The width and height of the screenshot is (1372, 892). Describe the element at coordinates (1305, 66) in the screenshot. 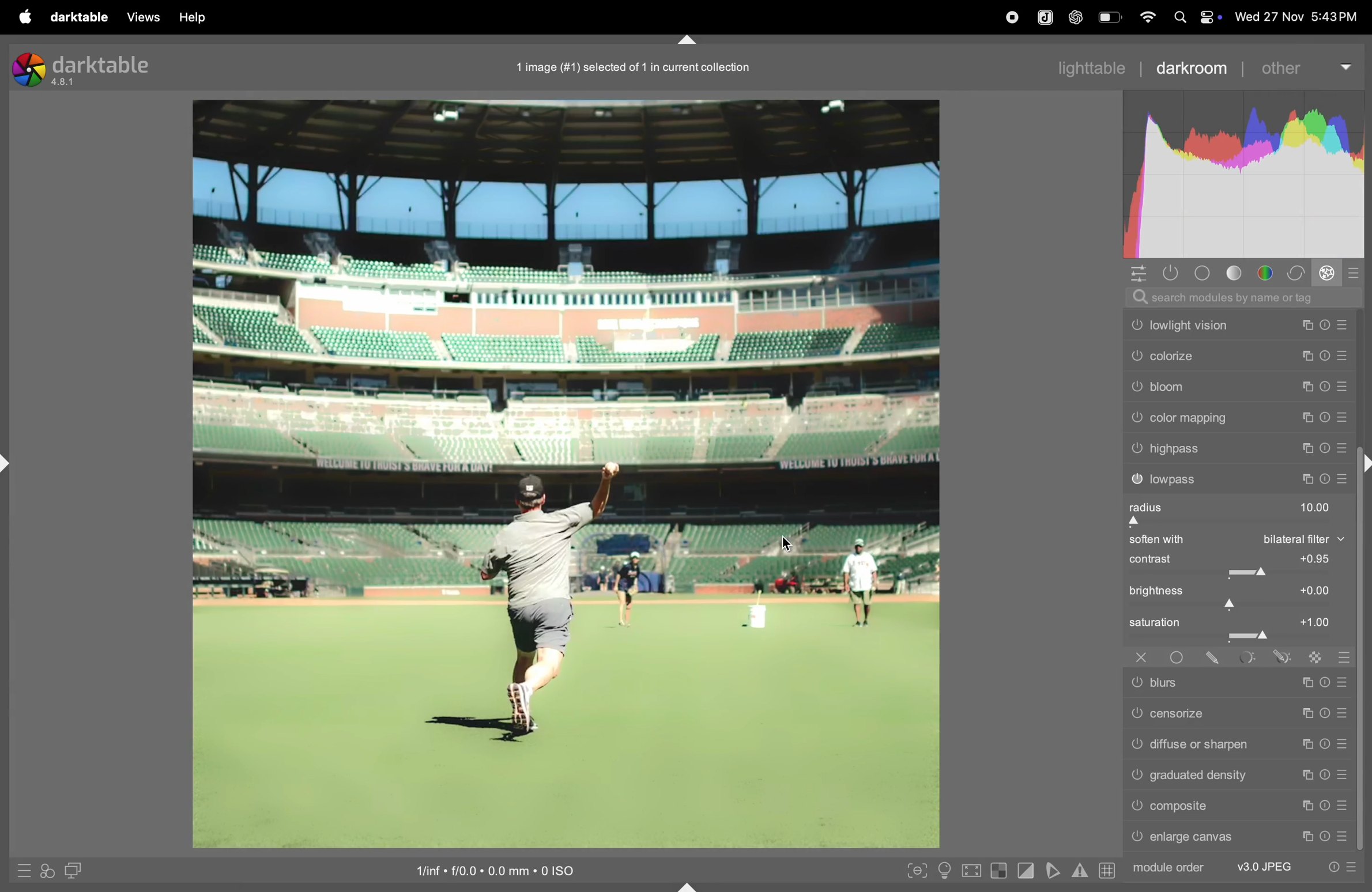

I see `other` at that location.